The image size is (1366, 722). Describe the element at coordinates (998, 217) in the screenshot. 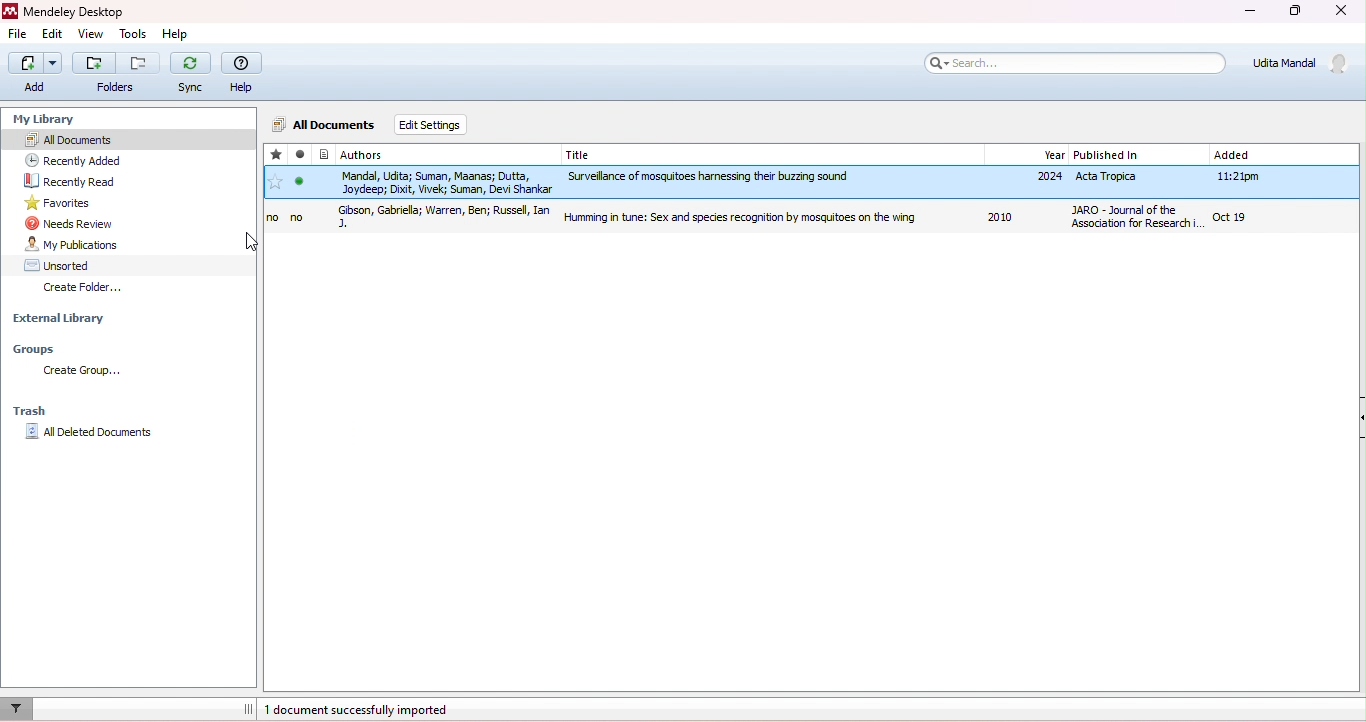

I see `2010` at that location.